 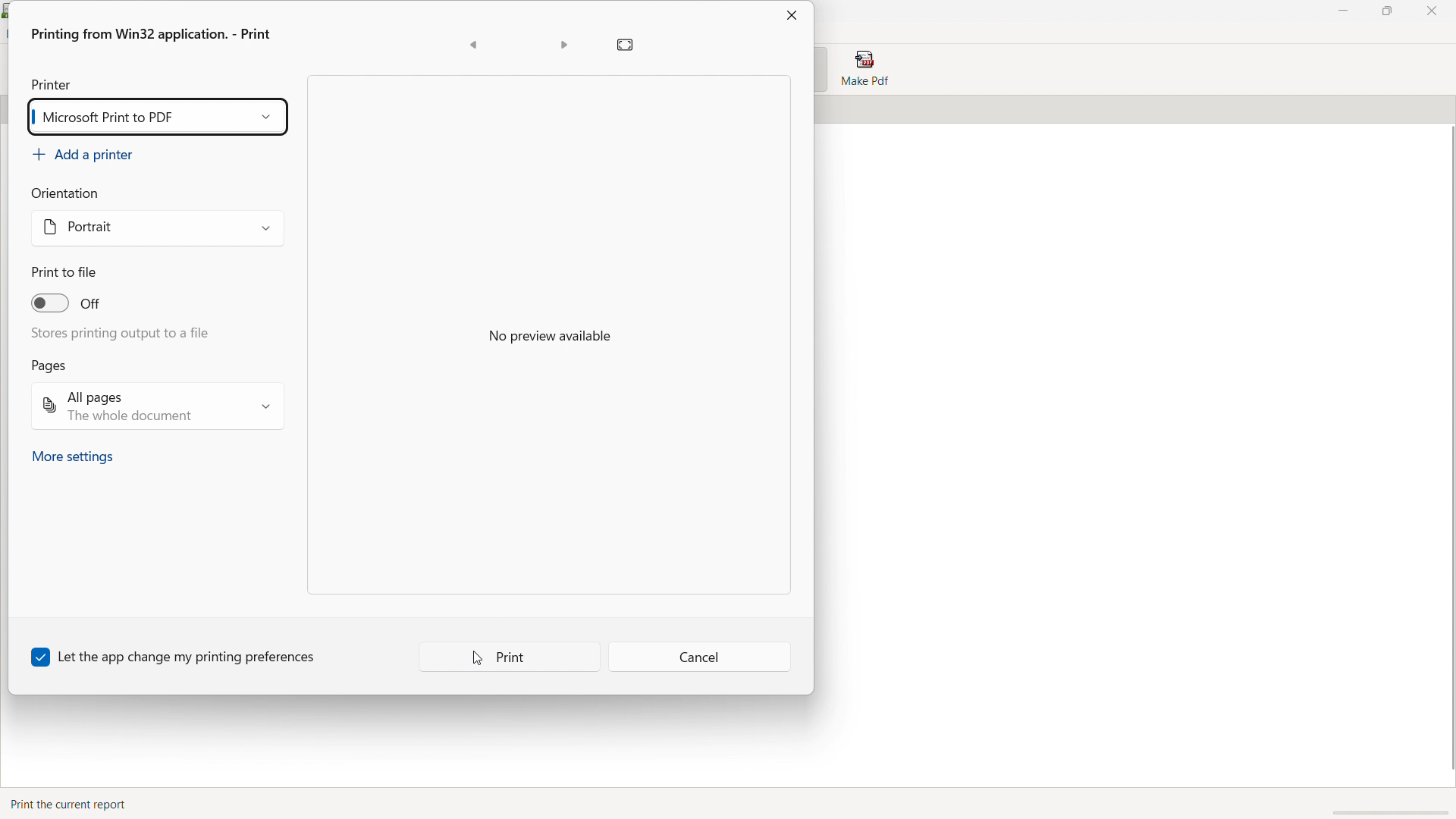 What do you see at coordinates (84, 155) in the screenshot?
I see `add a printer` at bounding box center [84, 155].